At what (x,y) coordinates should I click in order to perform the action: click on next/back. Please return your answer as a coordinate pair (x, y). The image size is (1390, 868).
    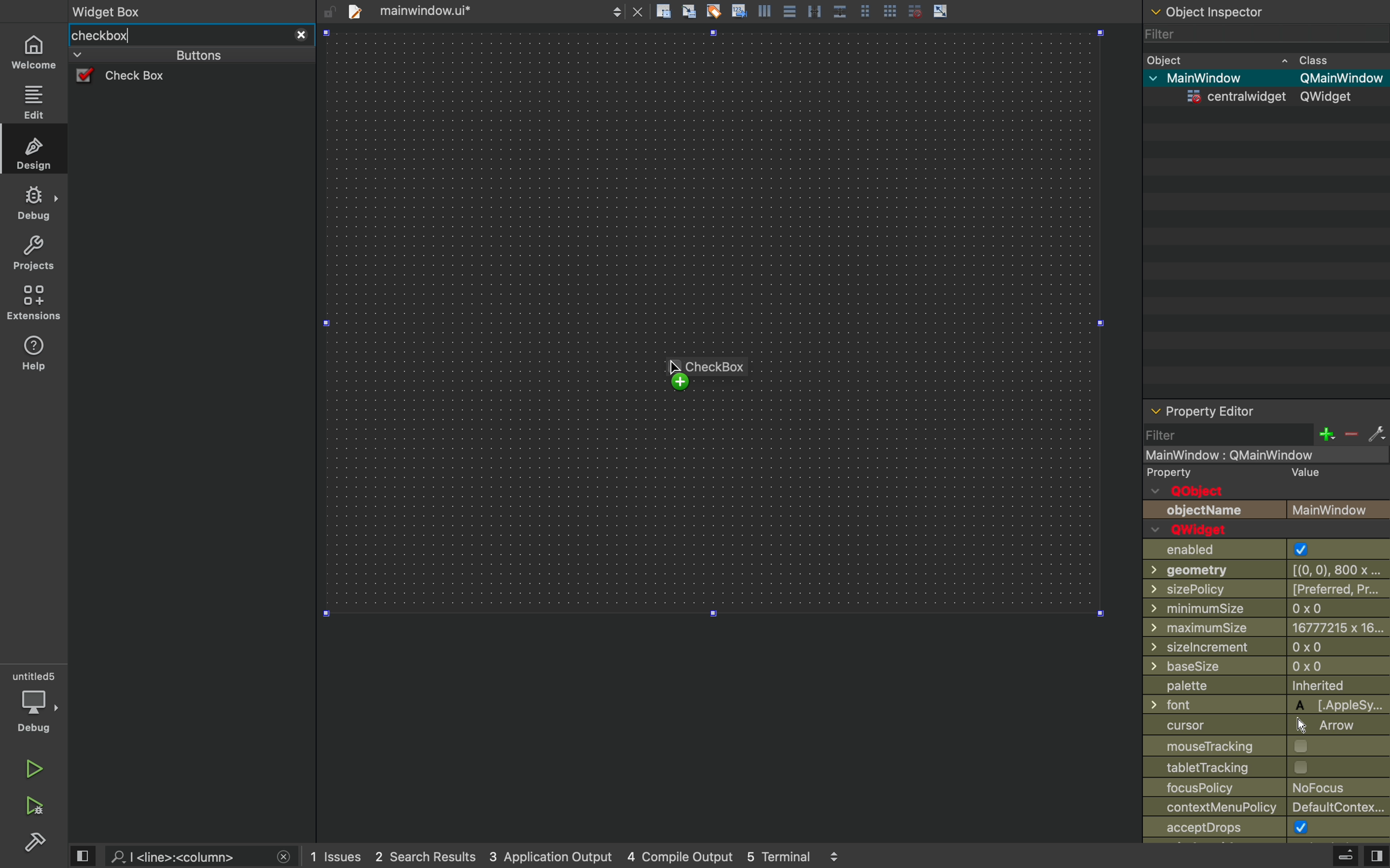
    Looking at the image, I should click on (617, 10).